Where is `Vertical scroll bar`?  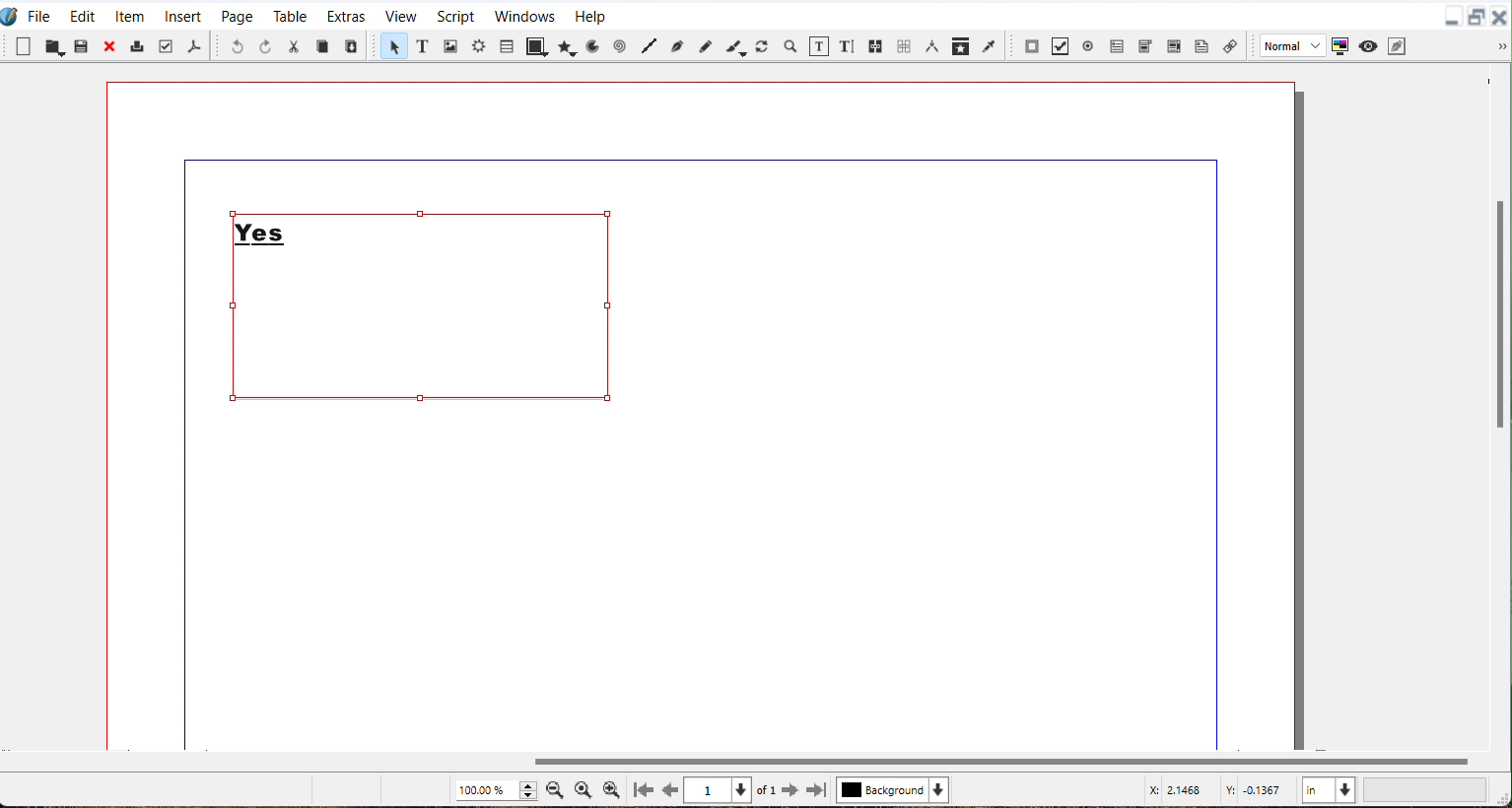 Vertical scroll bar is located at coordinates (740, 761).